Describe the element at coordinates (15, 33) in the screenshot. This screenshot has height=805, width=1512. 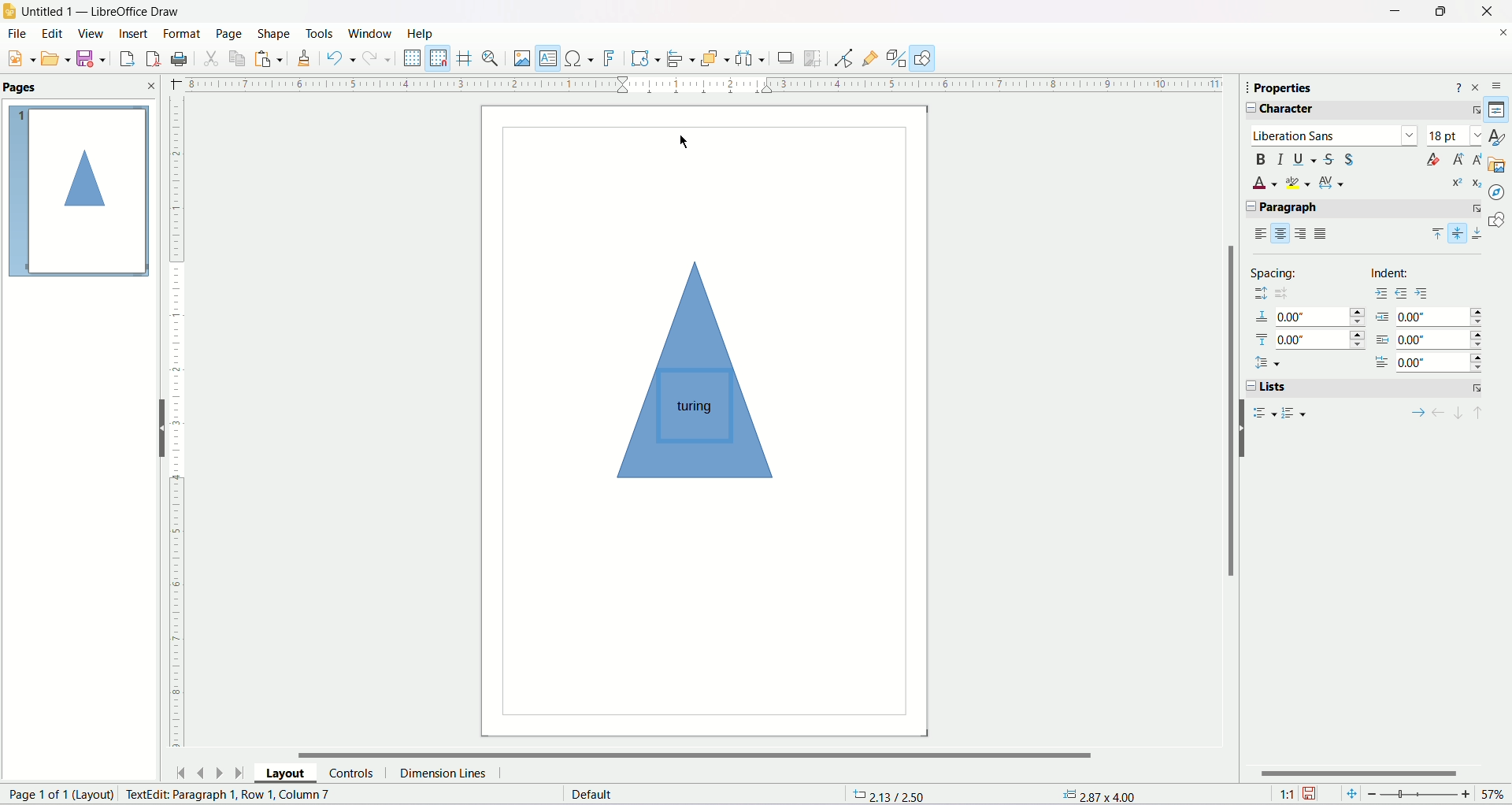
I see `File` at that location.